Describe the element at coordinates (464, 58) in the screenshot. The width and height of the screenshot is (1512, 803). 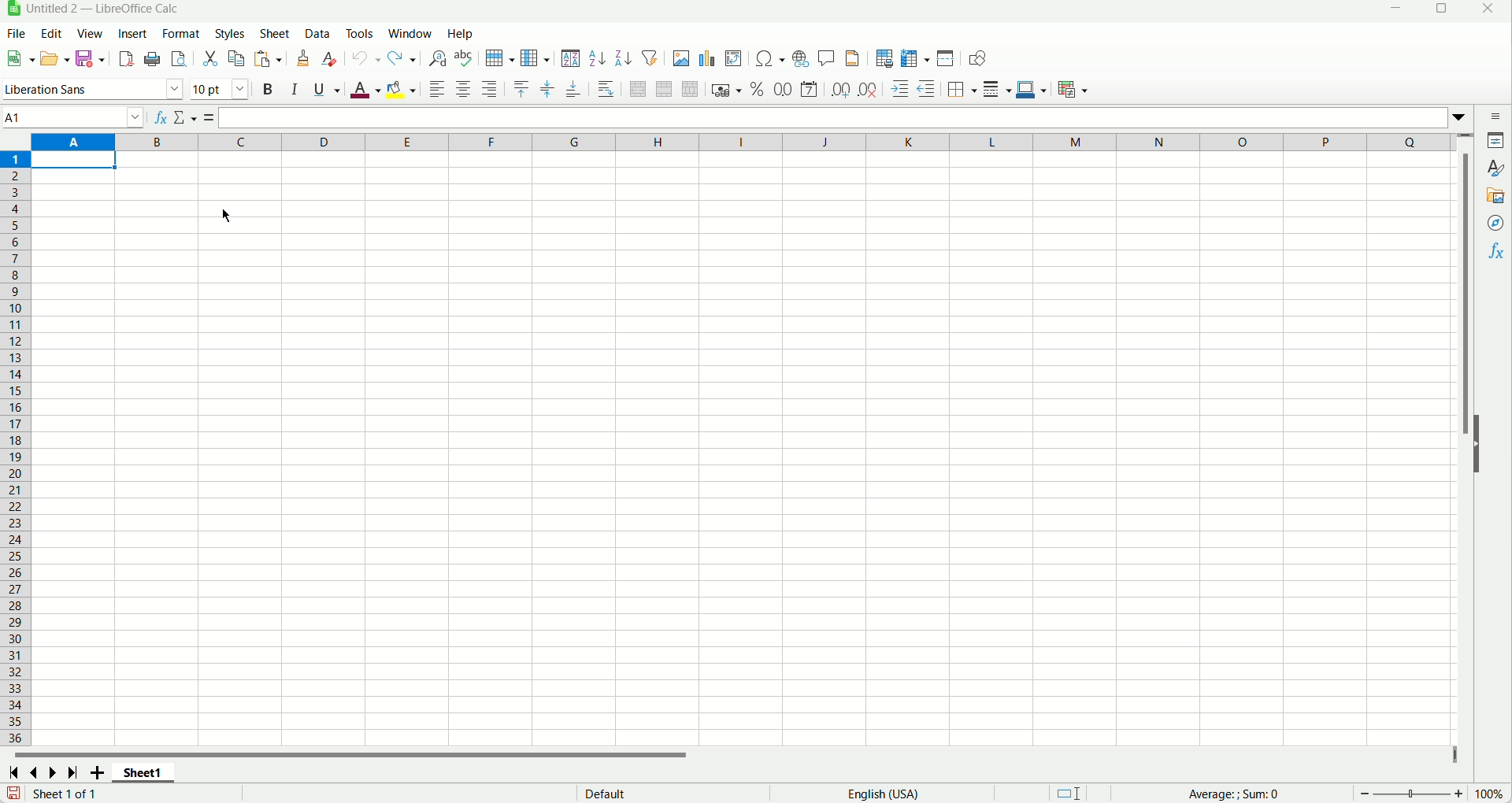
I see `Spelling` at that location.